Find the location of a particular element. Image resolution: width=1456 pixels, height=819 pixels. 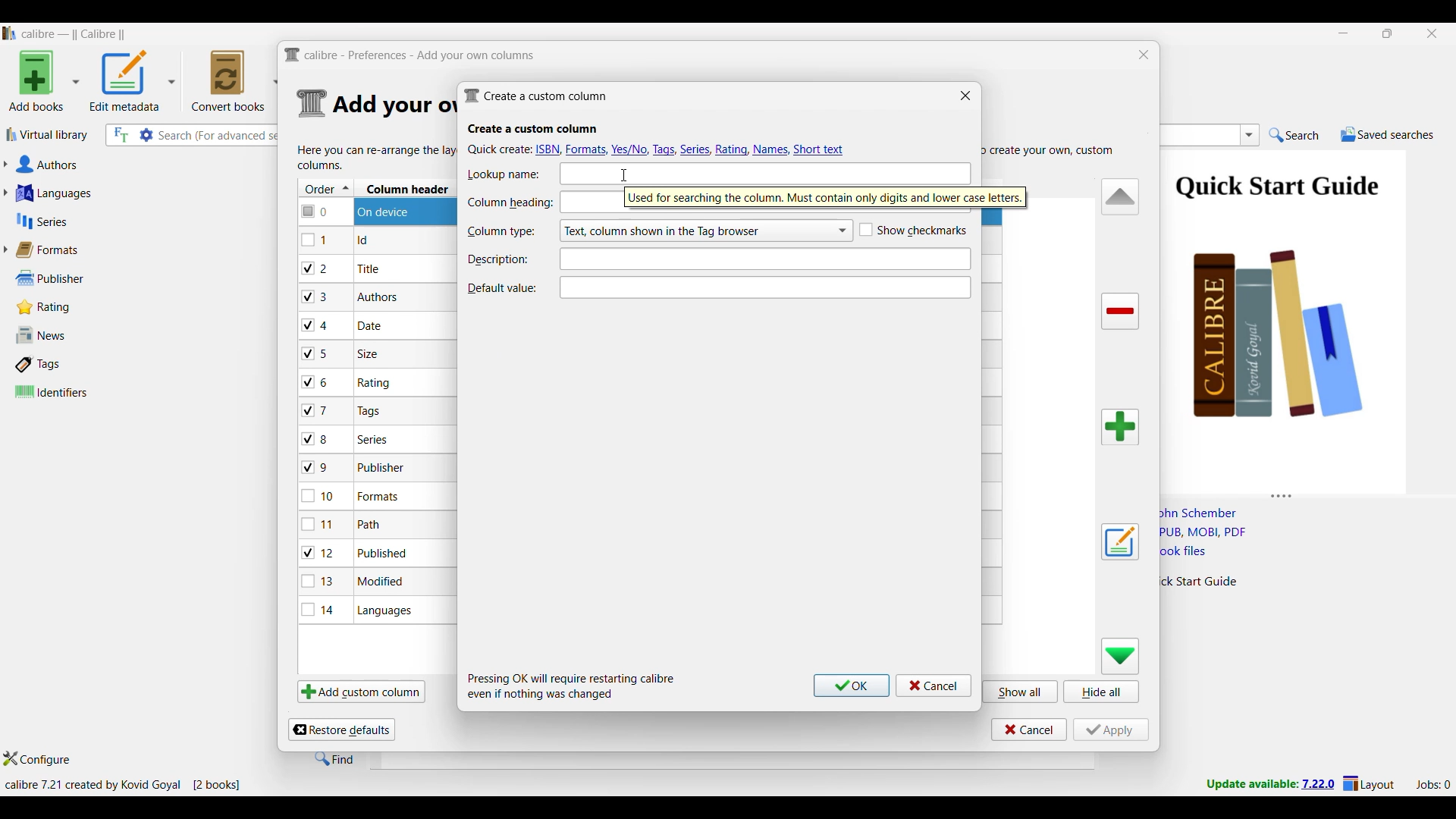

Cancel is located at coordinates (934, 686).